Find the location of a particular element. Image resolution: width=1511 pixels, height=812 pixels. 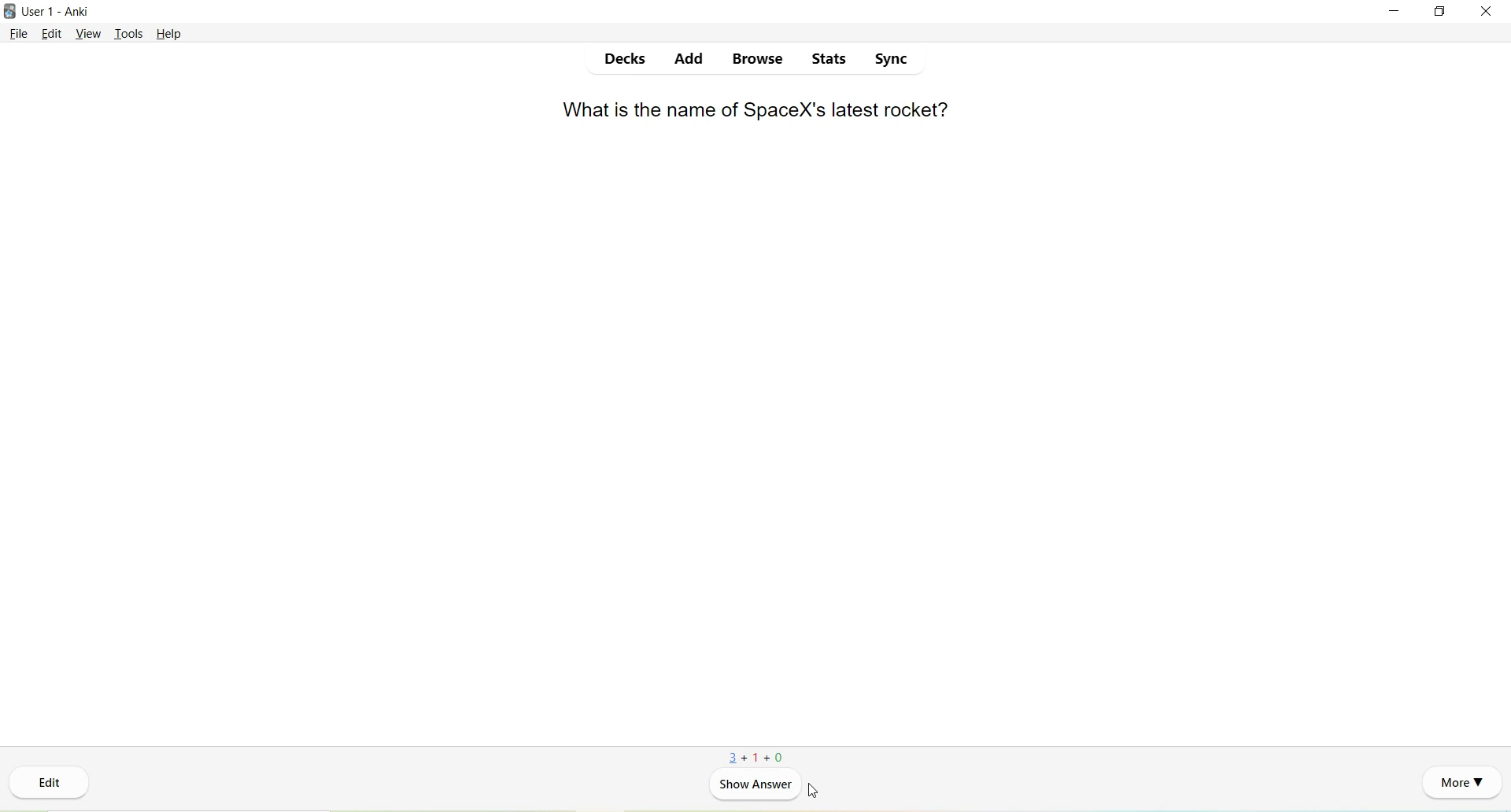

Minimize is located at coordinates (1395, 11).